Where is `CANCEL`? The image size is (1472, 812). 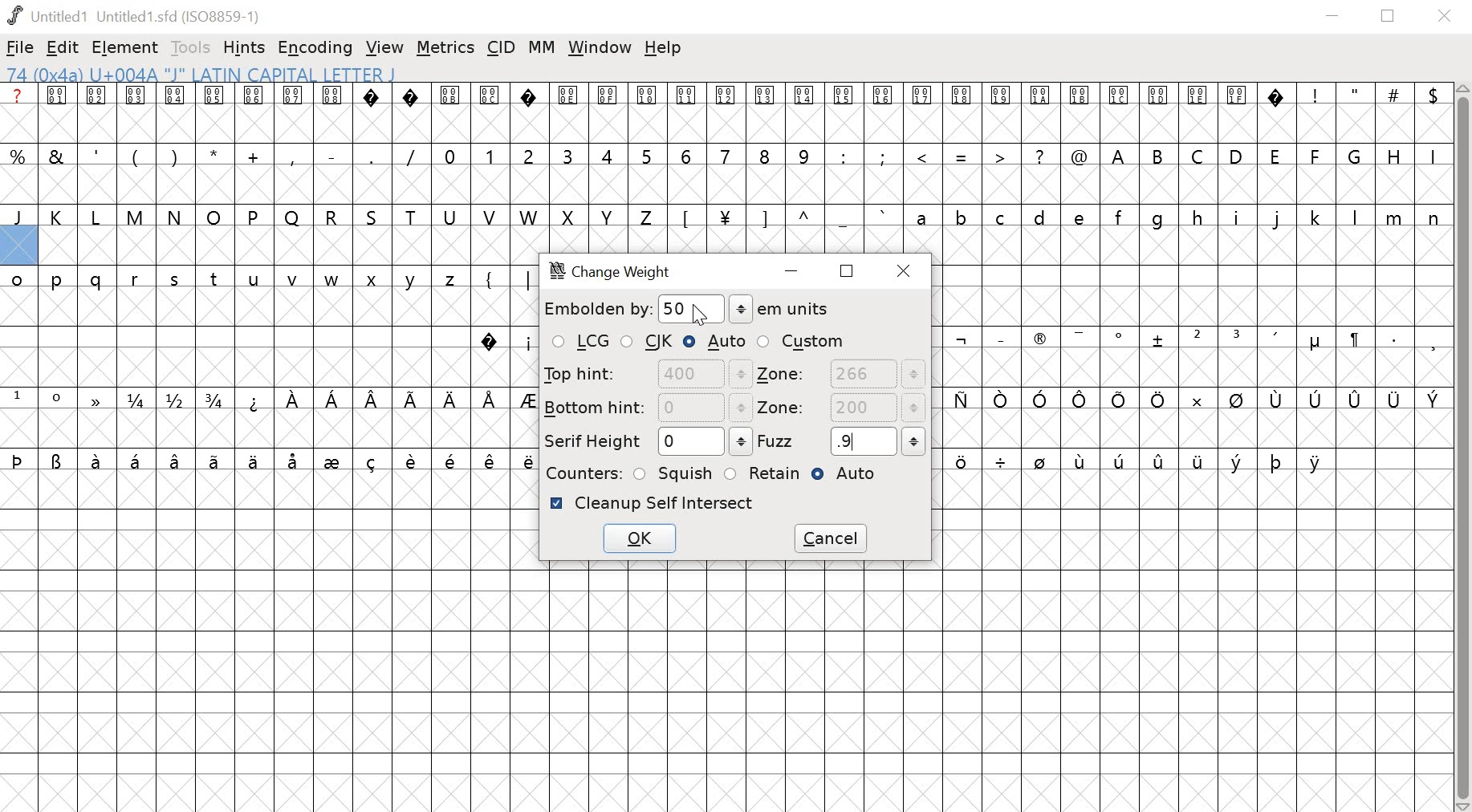 CANCEL is located at coordinates (832, 538).